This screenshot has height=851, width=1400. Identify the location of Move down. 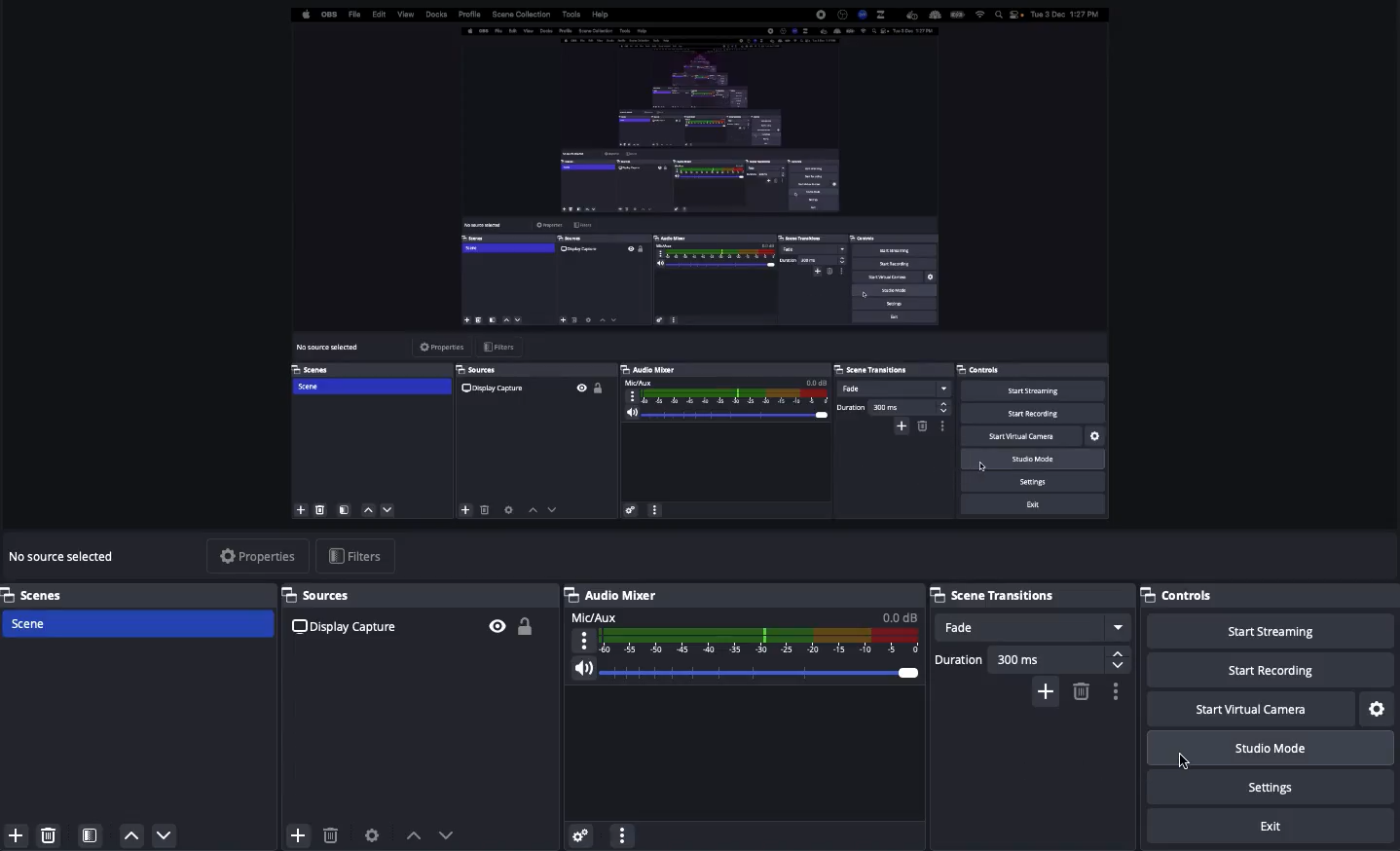
(450, 834).